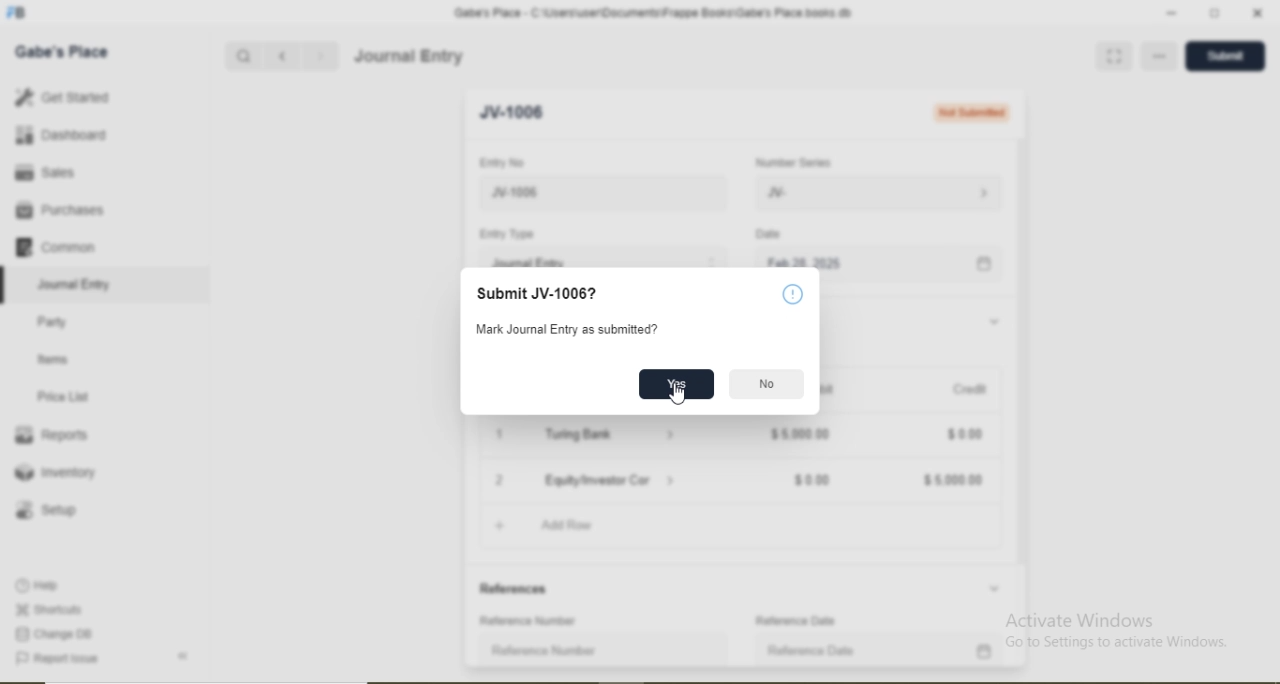  Describe the element at coordinates (47, 609) in the screenshot. I see `Shortcuts` at that location.